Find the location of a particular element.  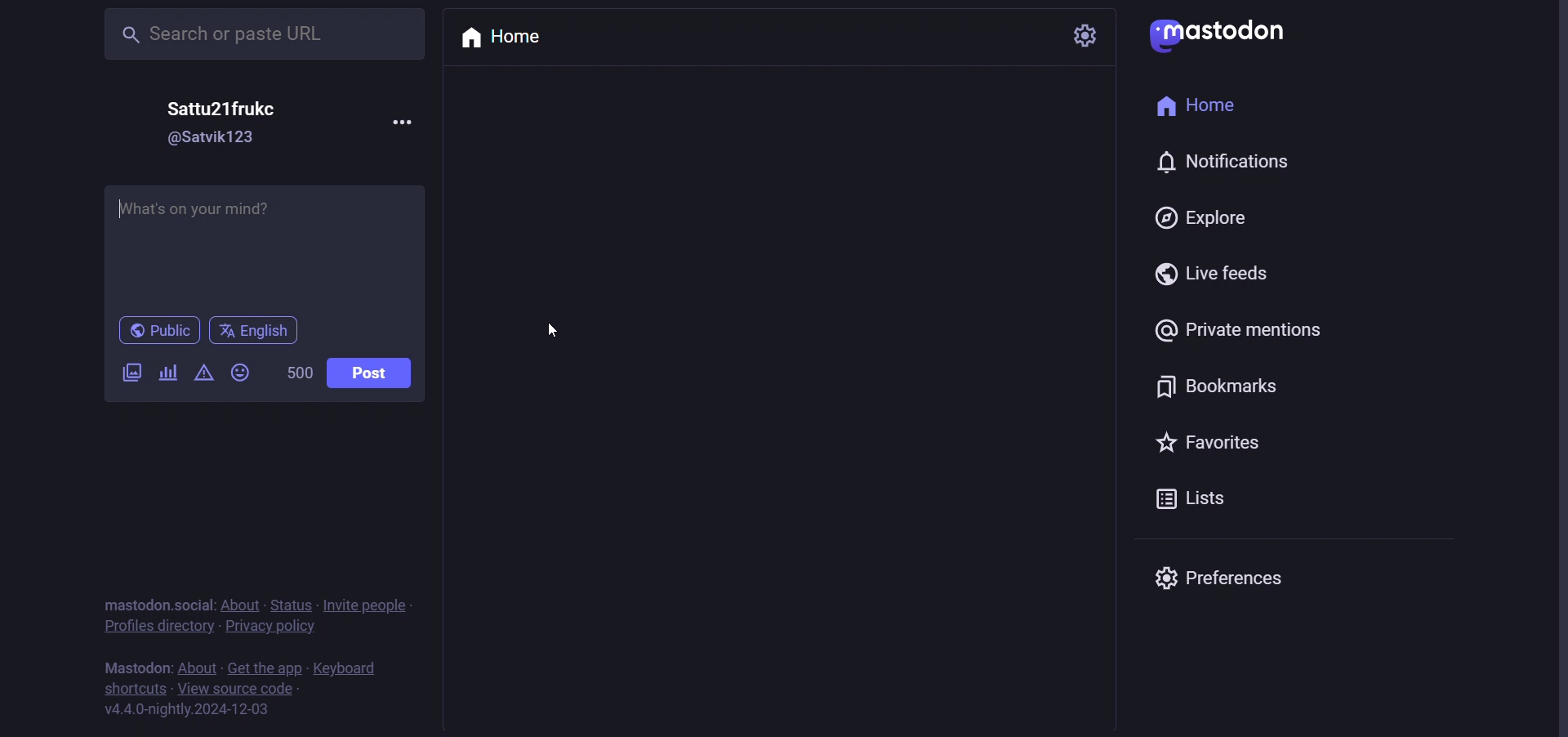

get the app is located at coordinates (261, 665).